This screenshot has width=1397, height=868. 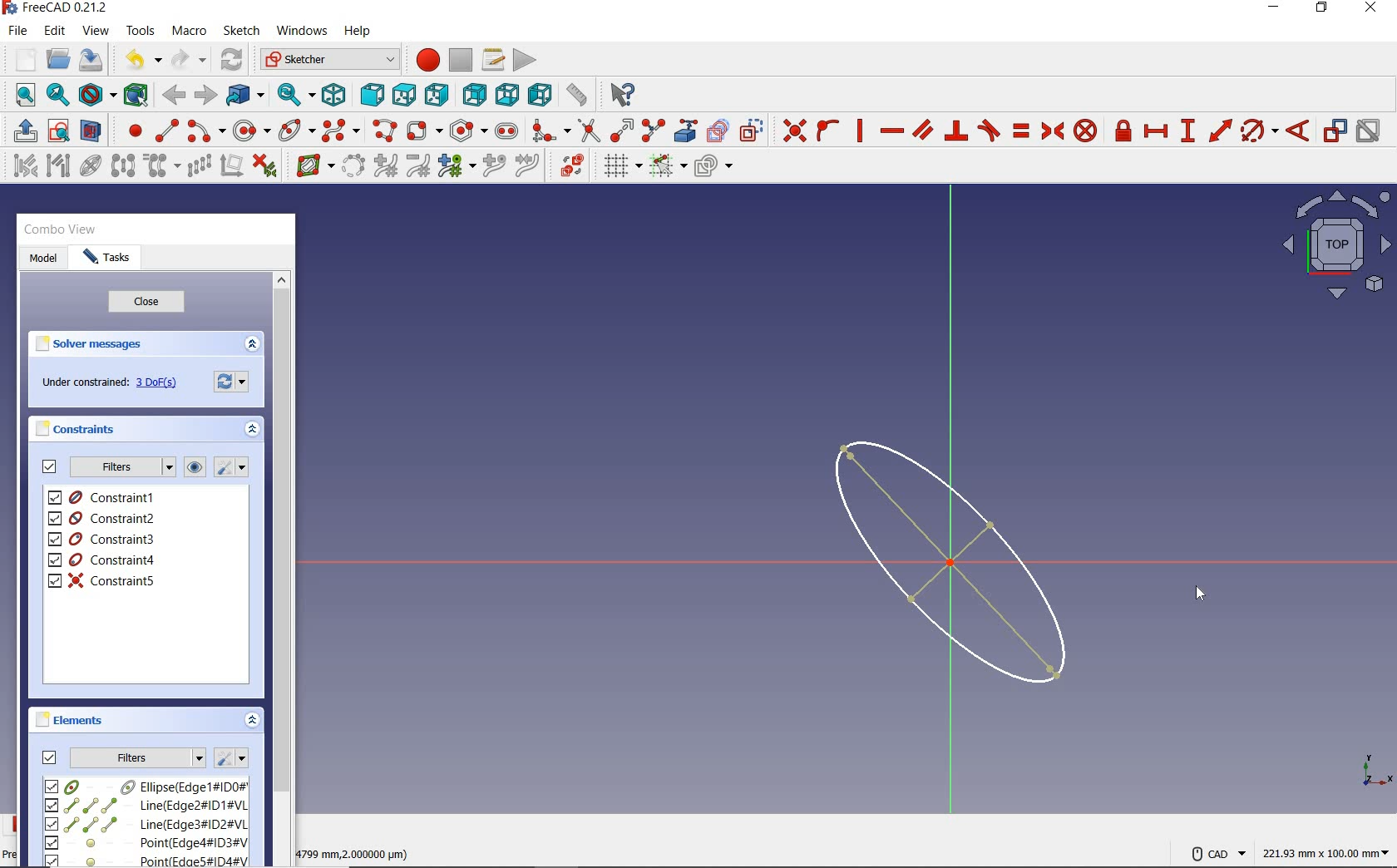 I want to click on sketch, so click(x=240, y=31).